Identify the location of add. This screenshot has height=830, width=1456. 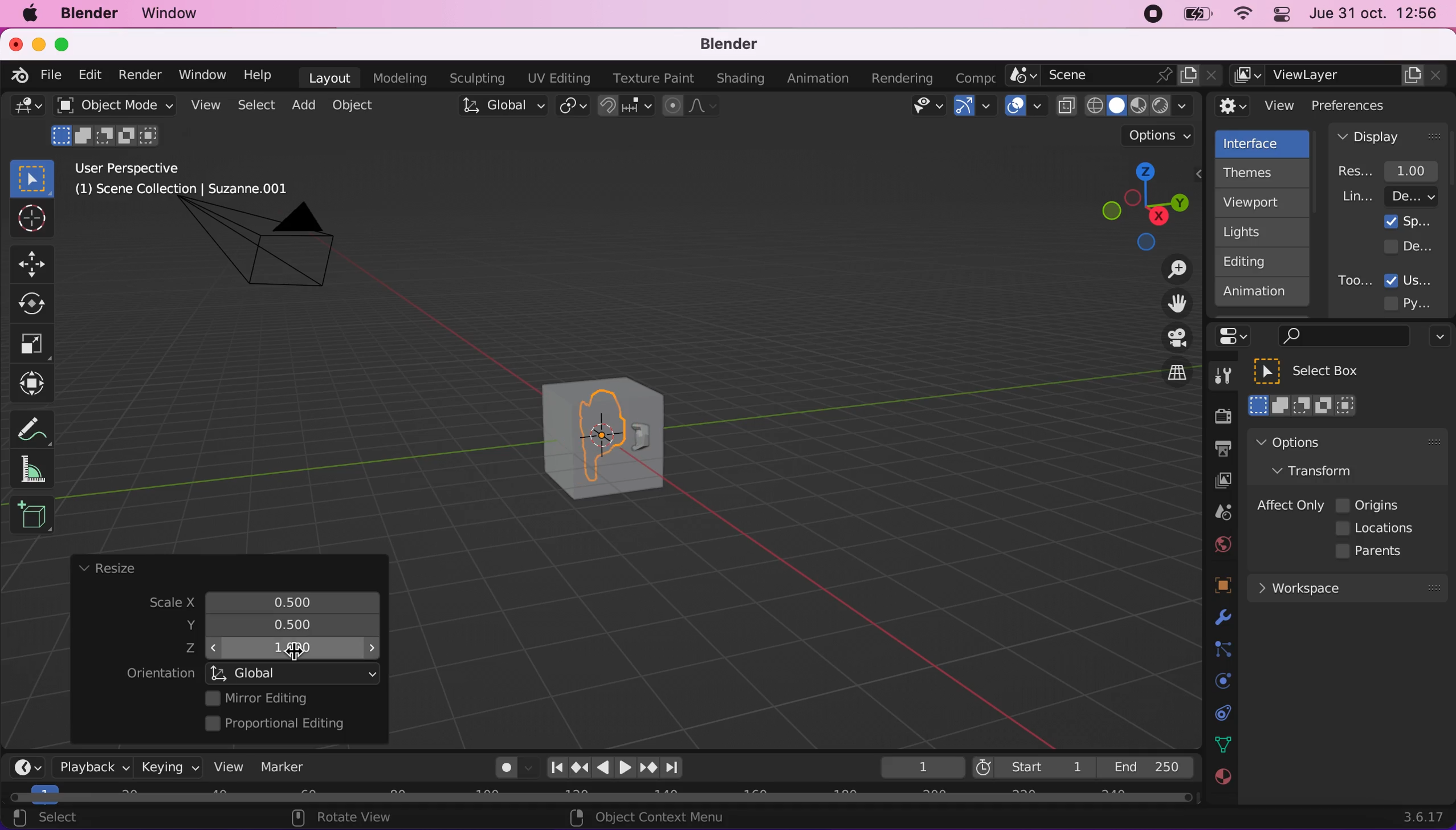
(301, 105).